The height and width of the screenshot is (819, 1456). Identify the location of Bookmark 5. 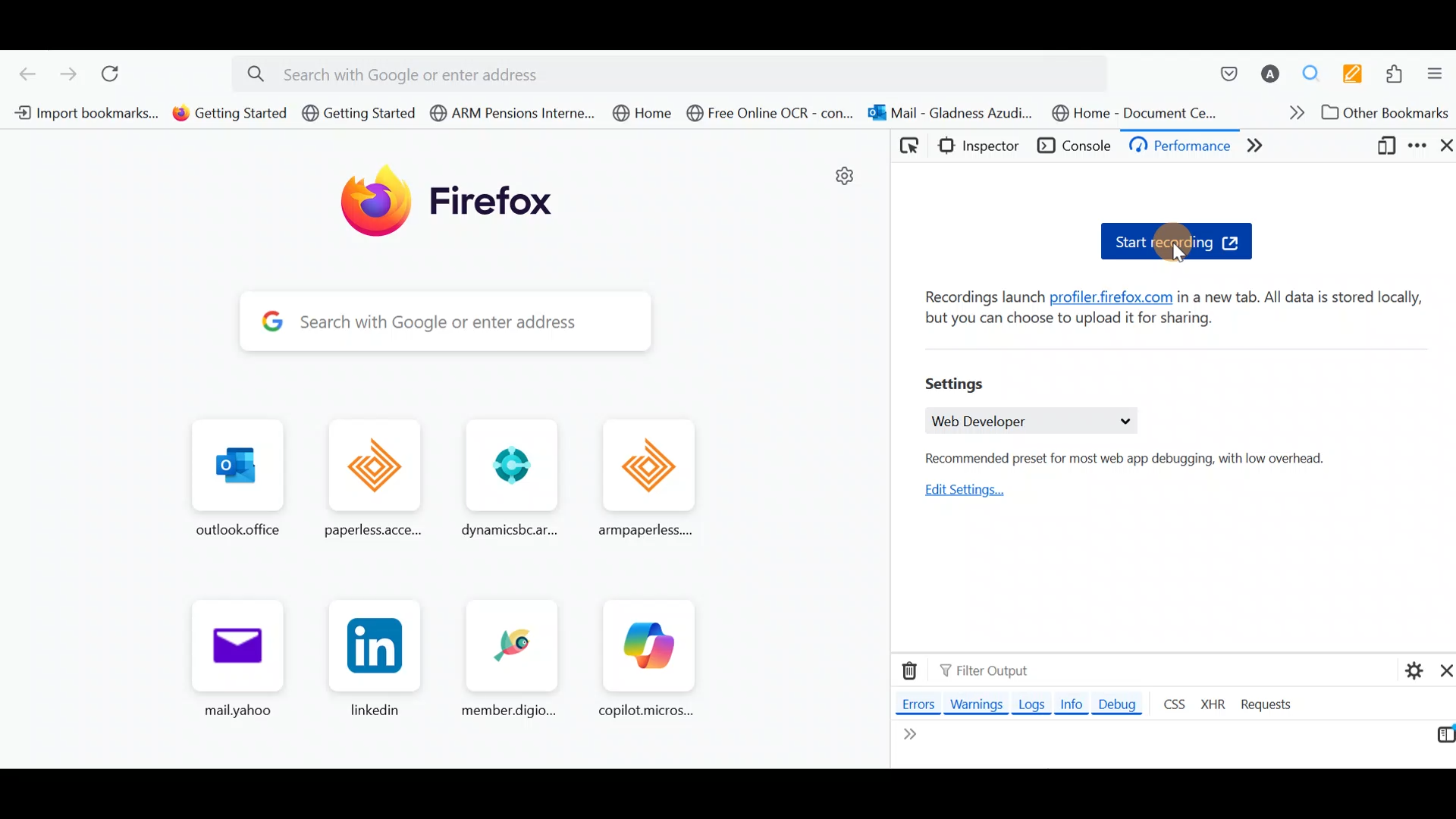
(648, 115).